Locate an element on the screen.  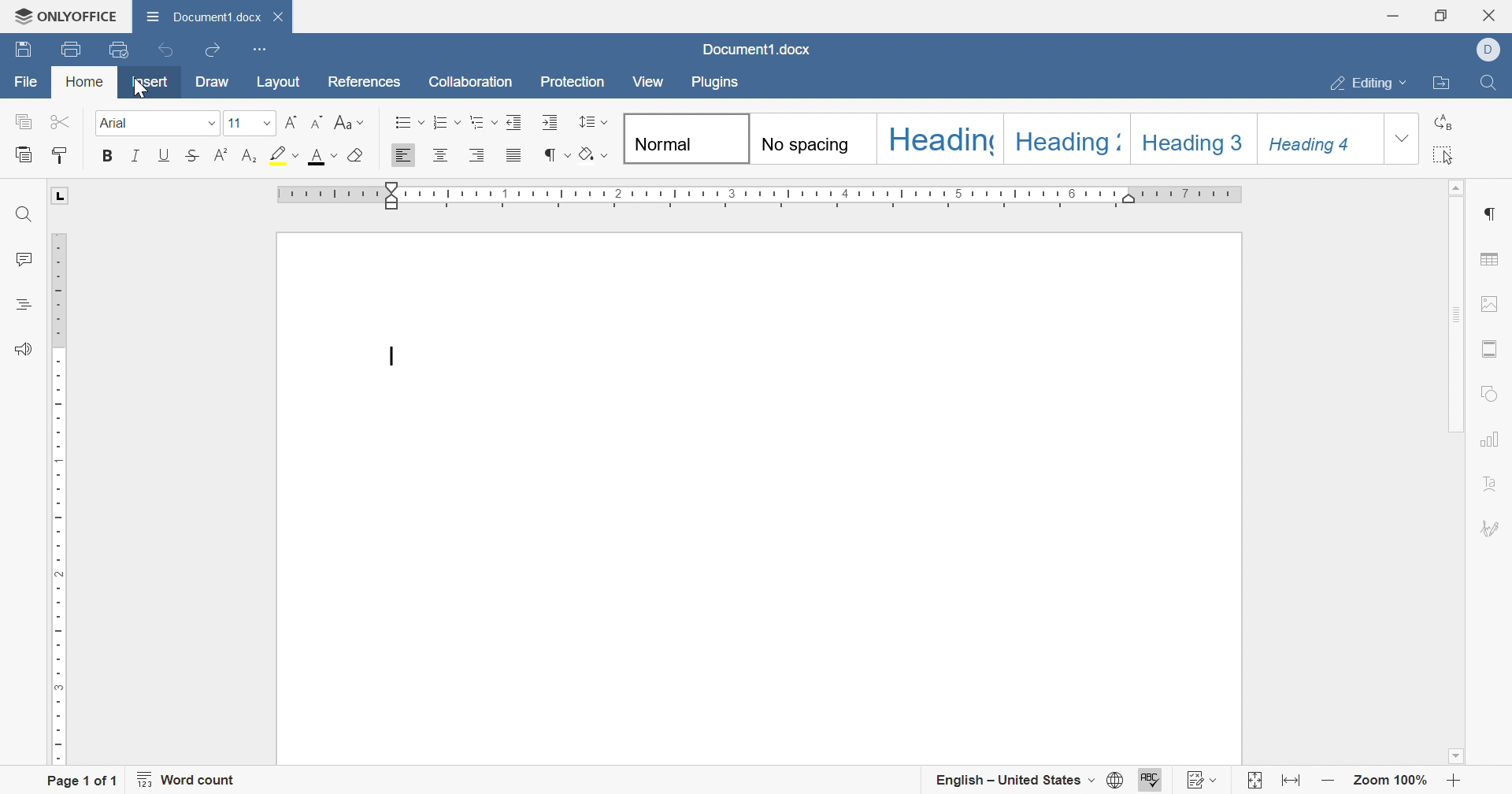
Document1.dox is located at coordinates (758, 51).